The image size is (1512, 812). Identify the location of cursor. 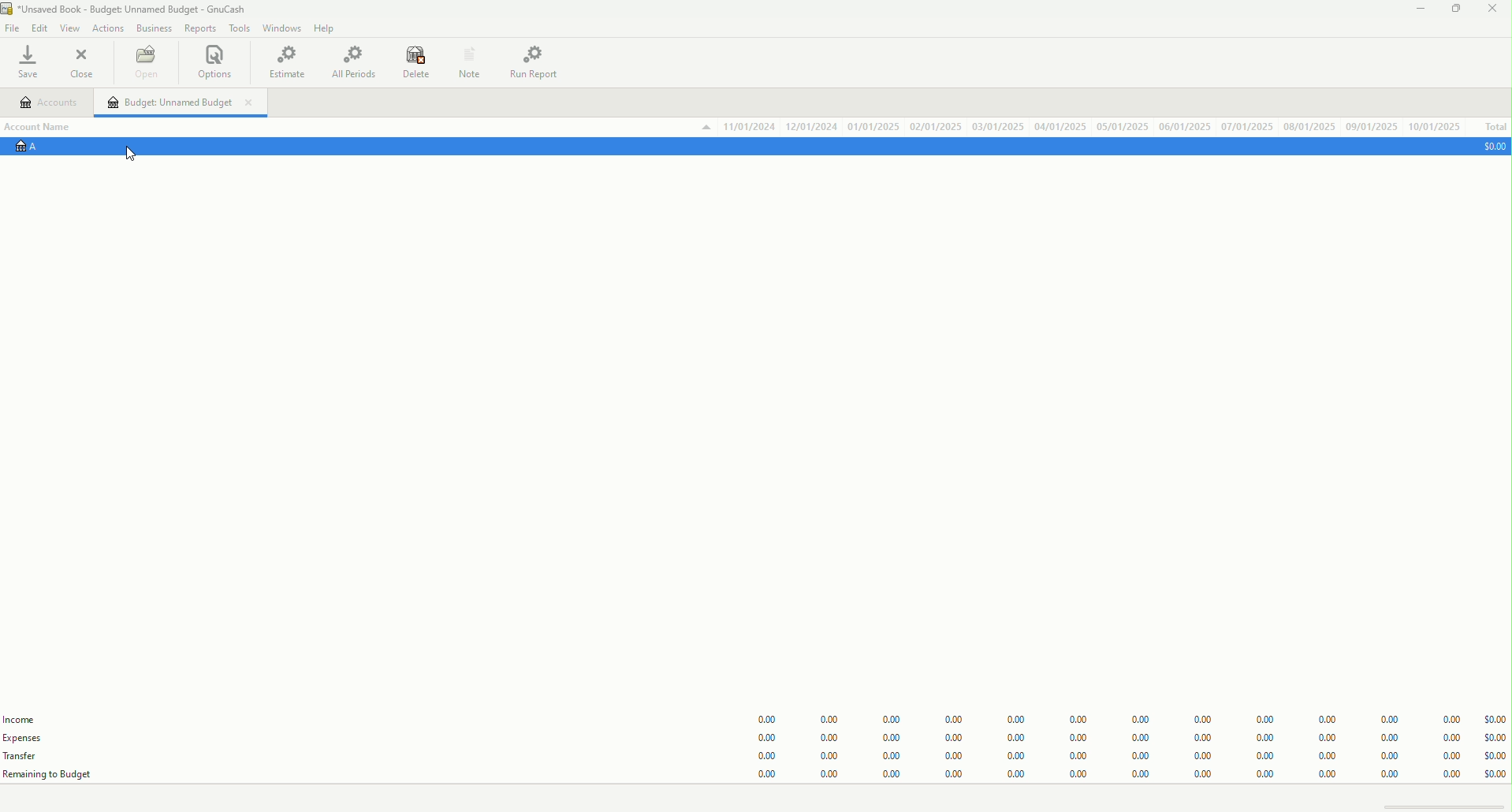
(136, 157).